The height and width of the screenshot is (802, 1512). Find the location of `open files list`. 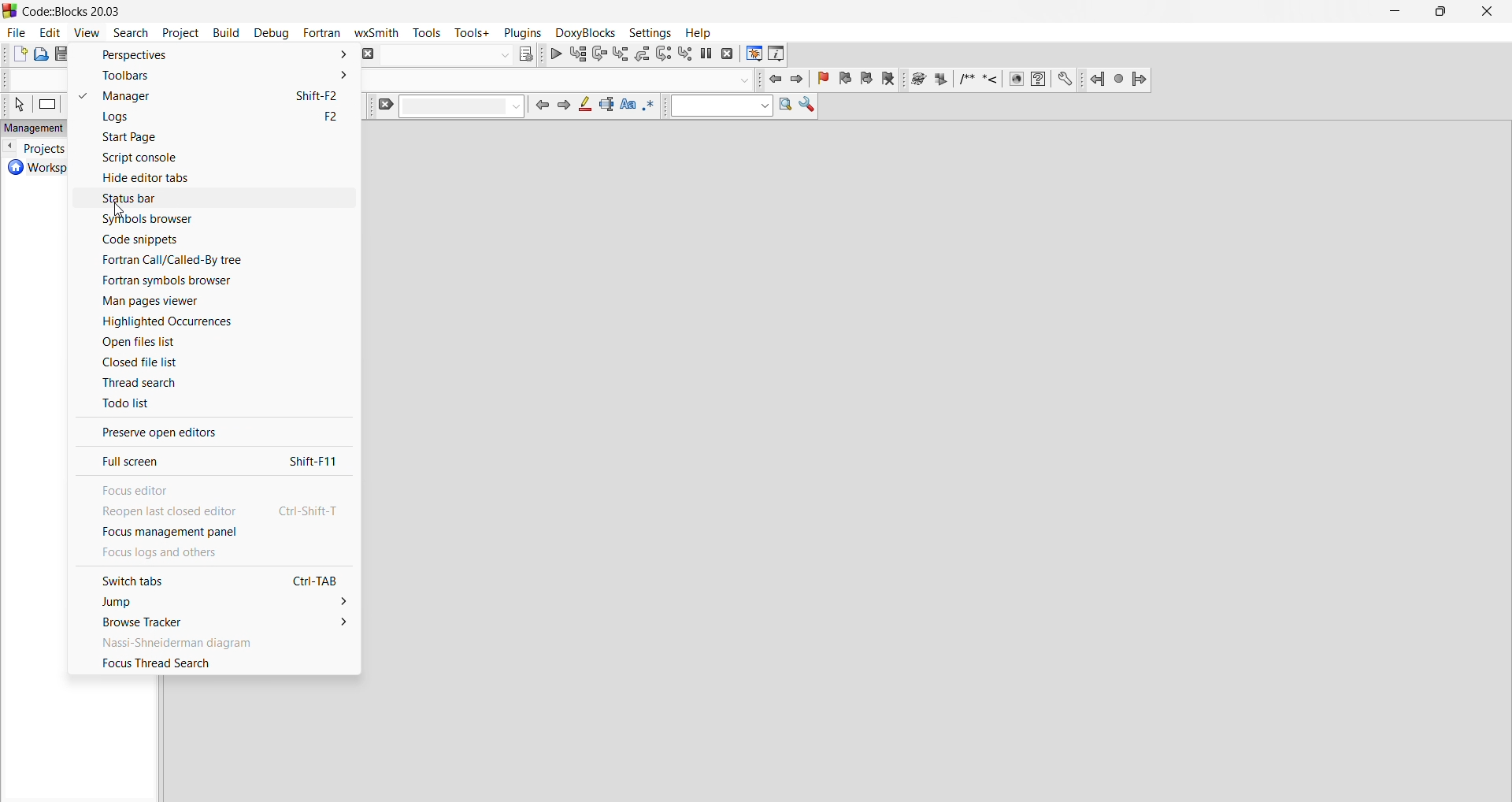

open files list is located at coordinates (214, 343).